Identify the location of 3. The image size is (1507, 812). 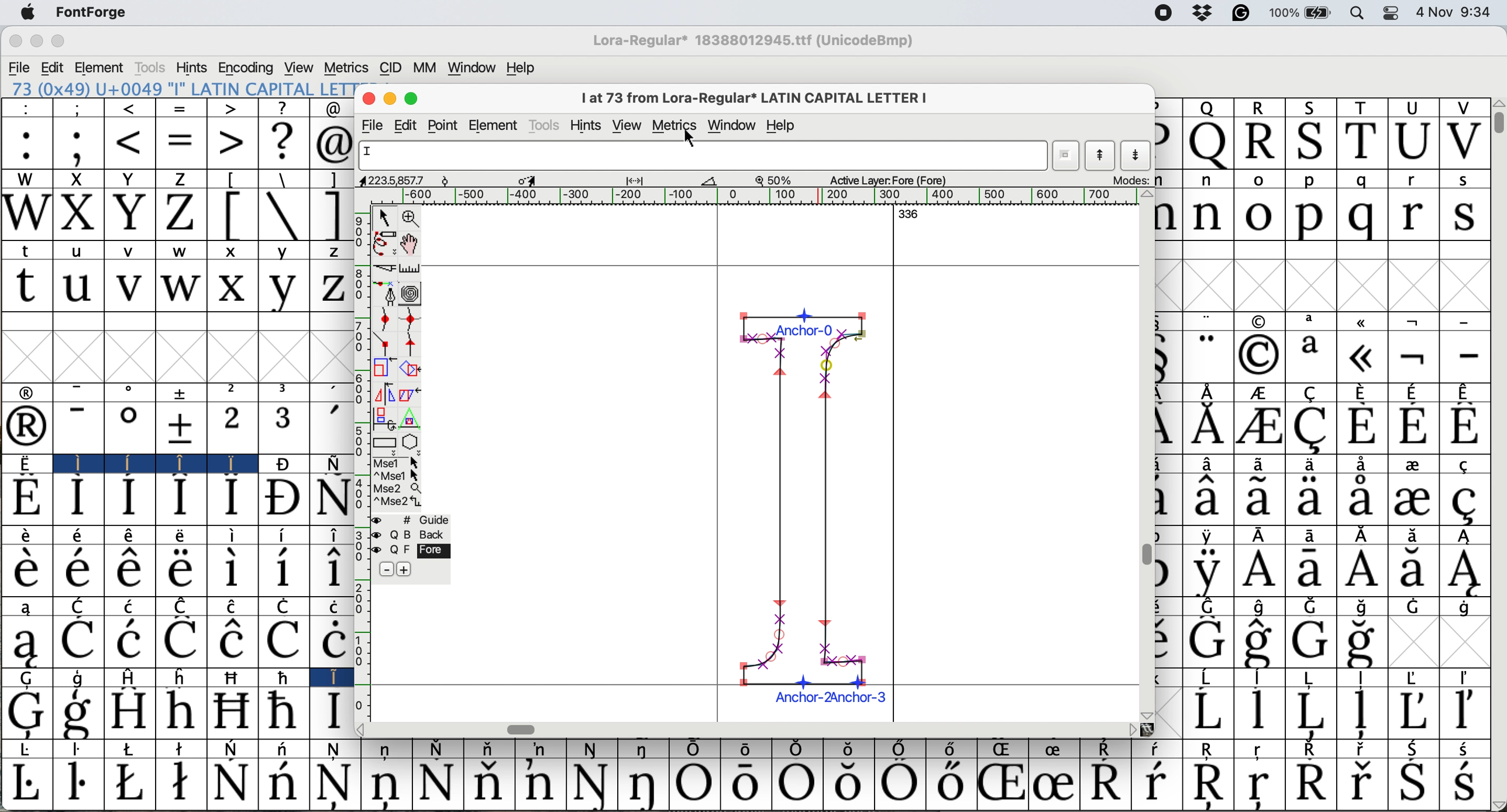
(285, 428).